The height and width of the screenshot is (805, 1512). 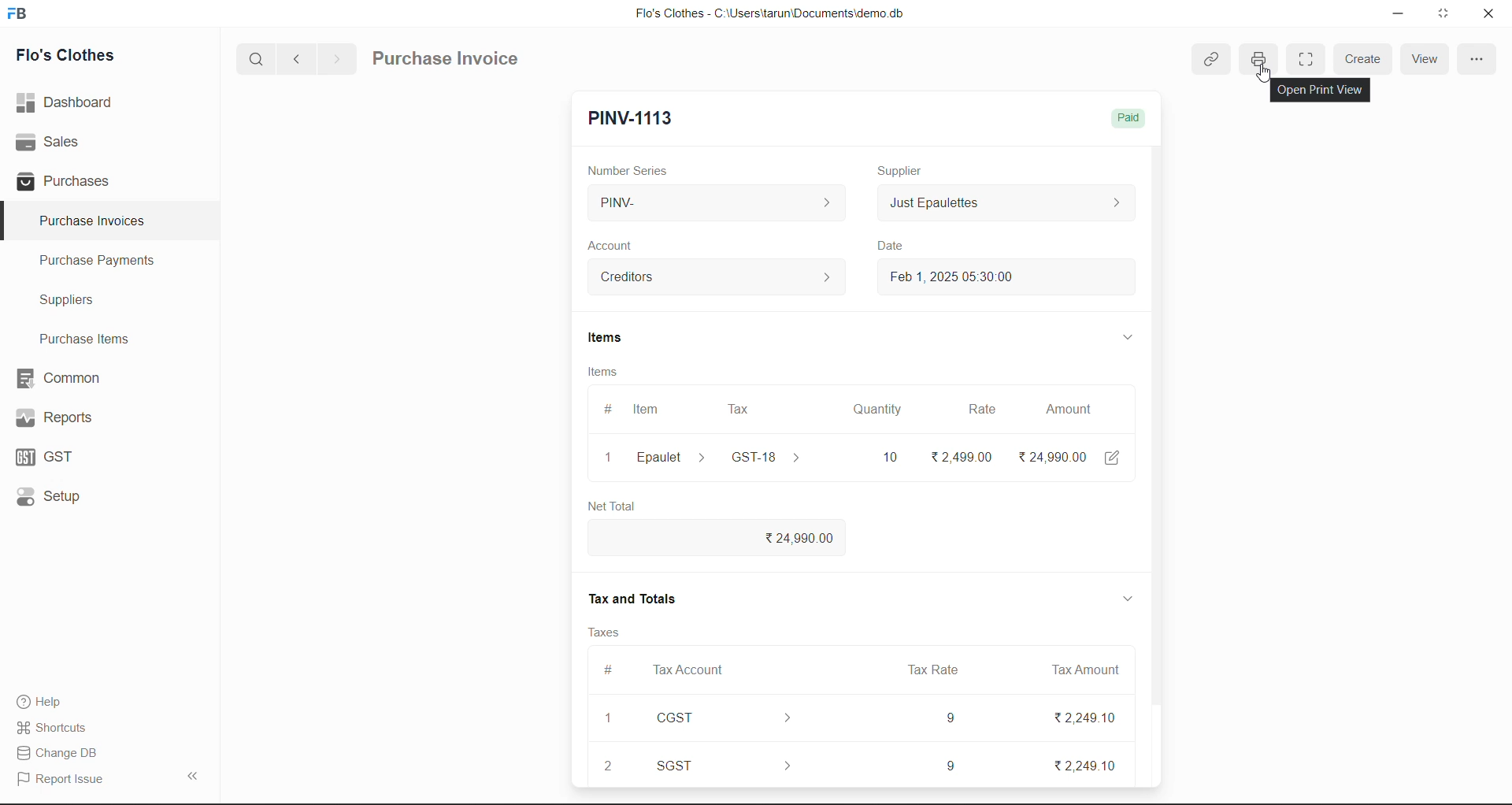 I want to click on Dashboard, so click(x=69, y=102).